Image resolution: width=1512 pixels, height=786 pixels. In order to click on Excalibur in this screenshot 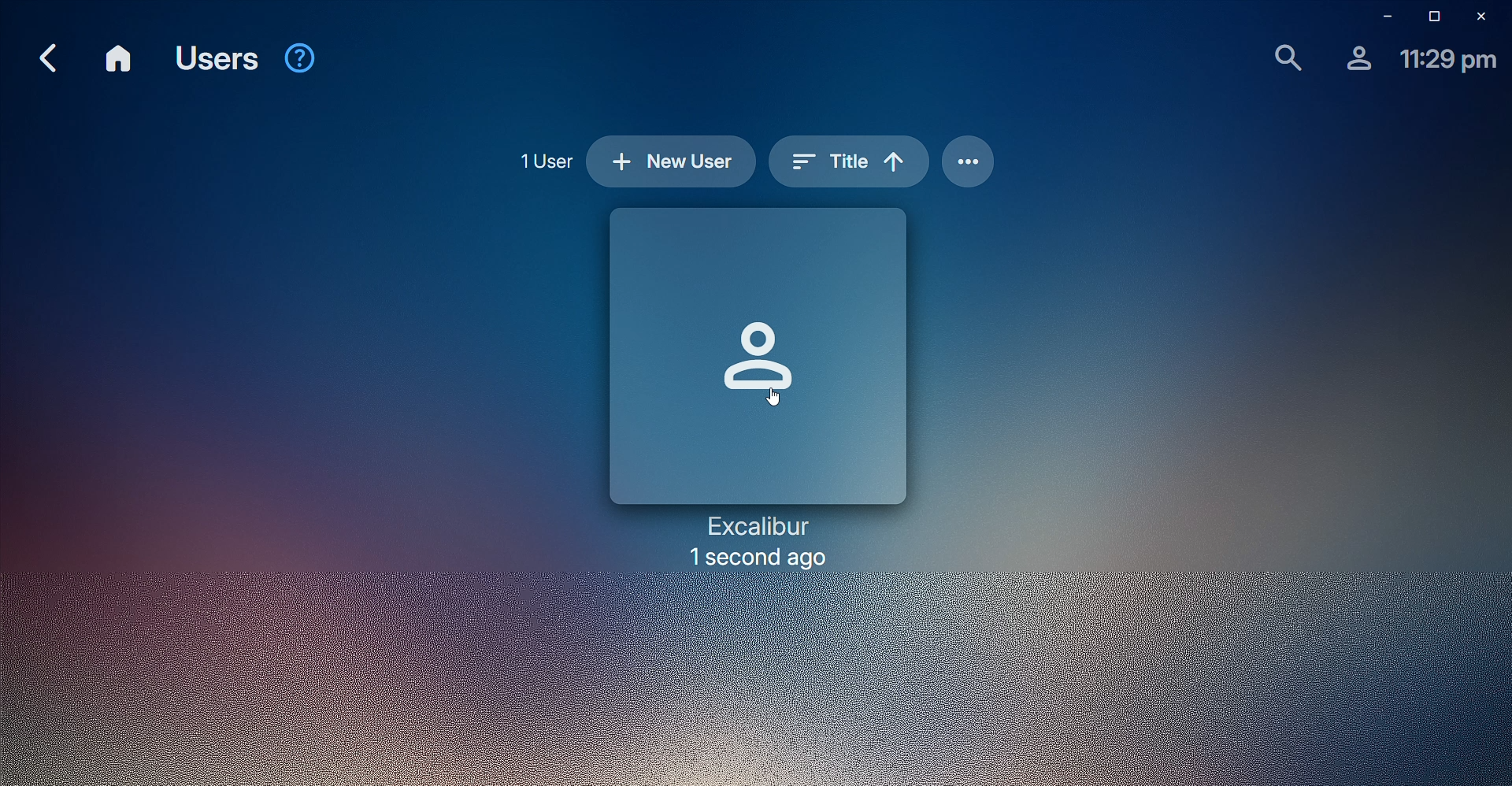, I will do `click(763, 526)`.